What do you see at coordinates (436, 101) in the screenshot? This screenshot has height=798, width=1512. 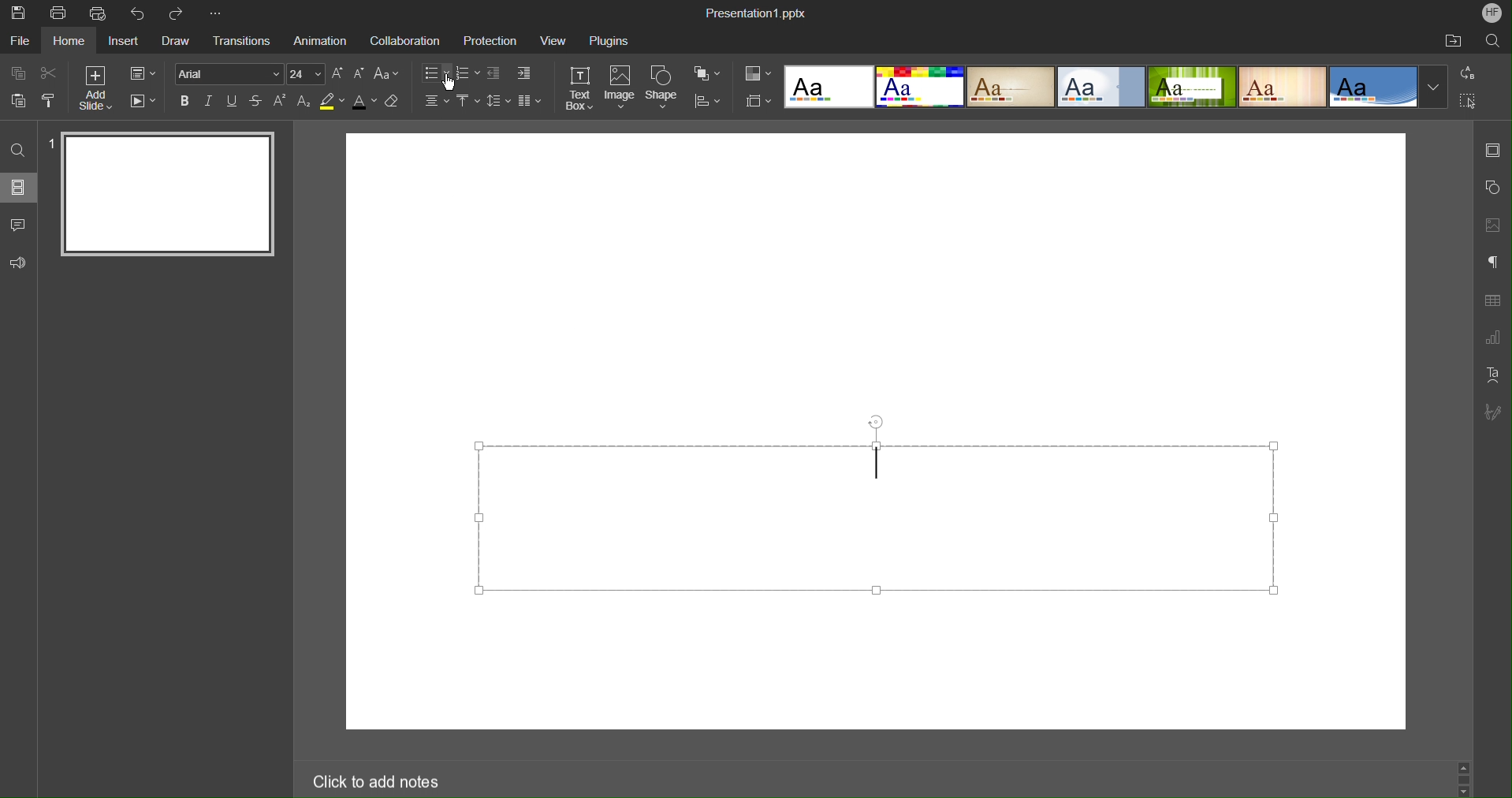 I see `Alignment` at bounding box center [436, 101].